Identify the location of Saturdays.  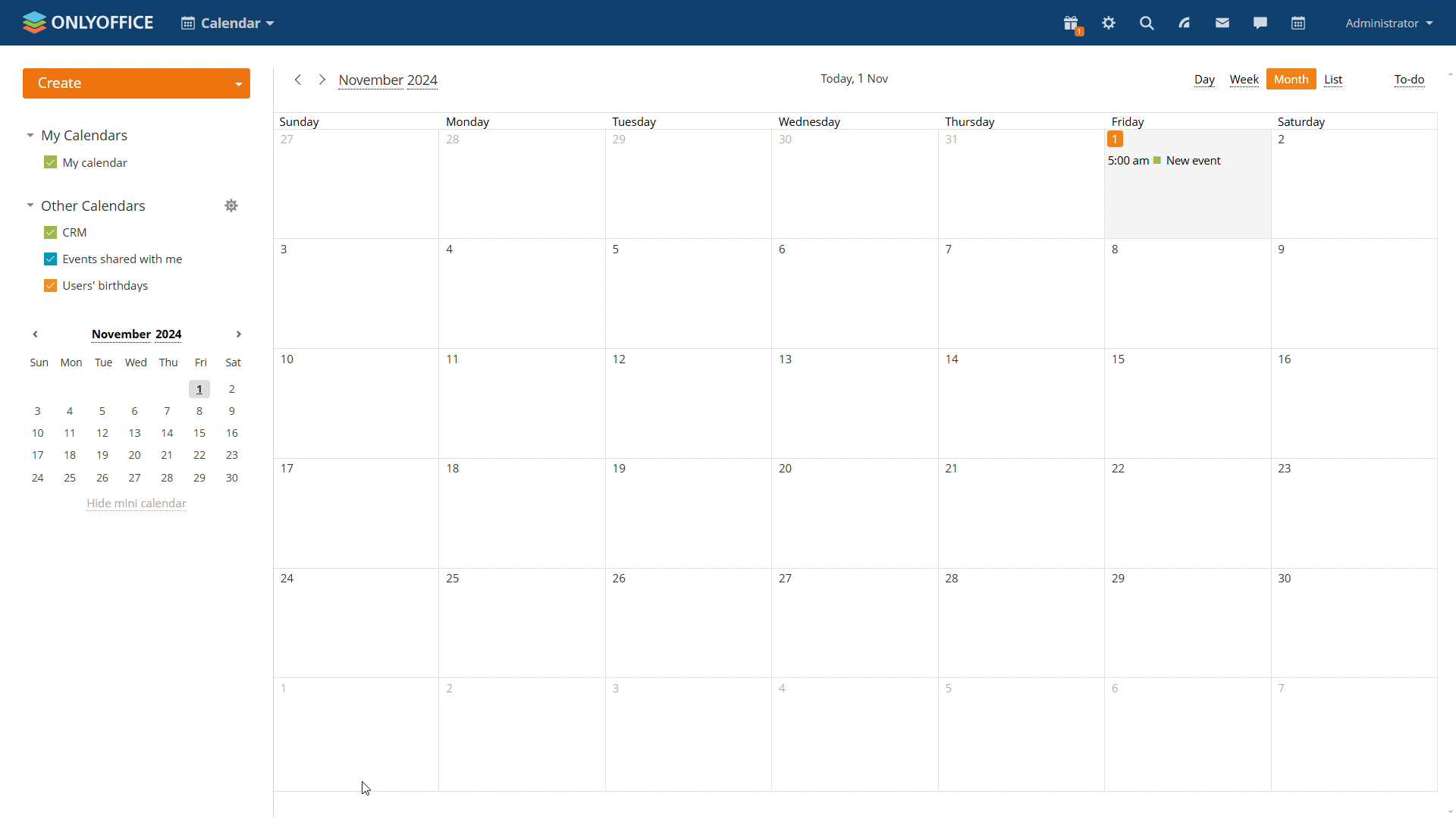
(1354, 454).